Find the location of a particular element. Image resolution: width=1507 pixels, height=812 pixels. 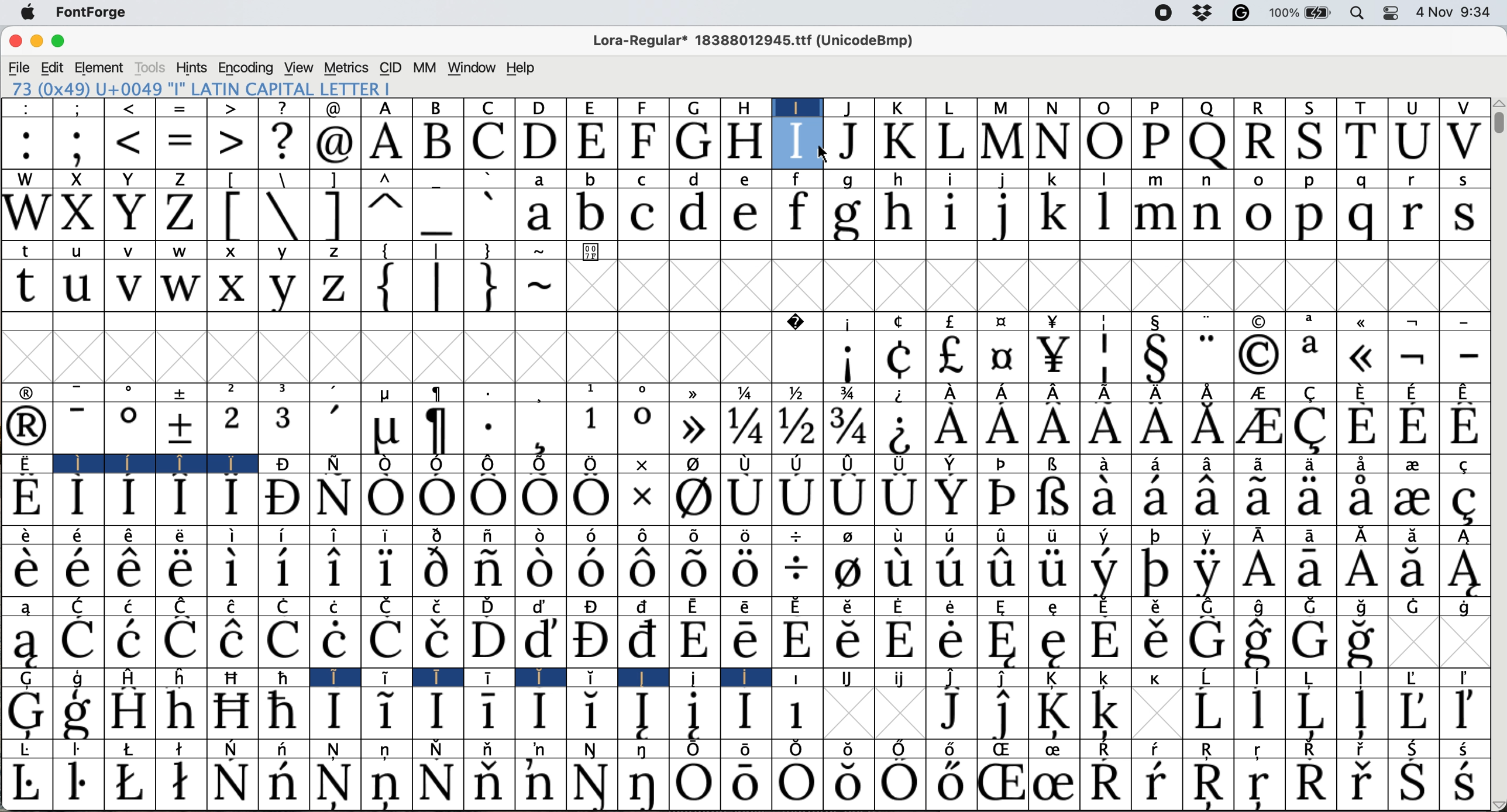

Symbol is located at coordinates (229, 782).